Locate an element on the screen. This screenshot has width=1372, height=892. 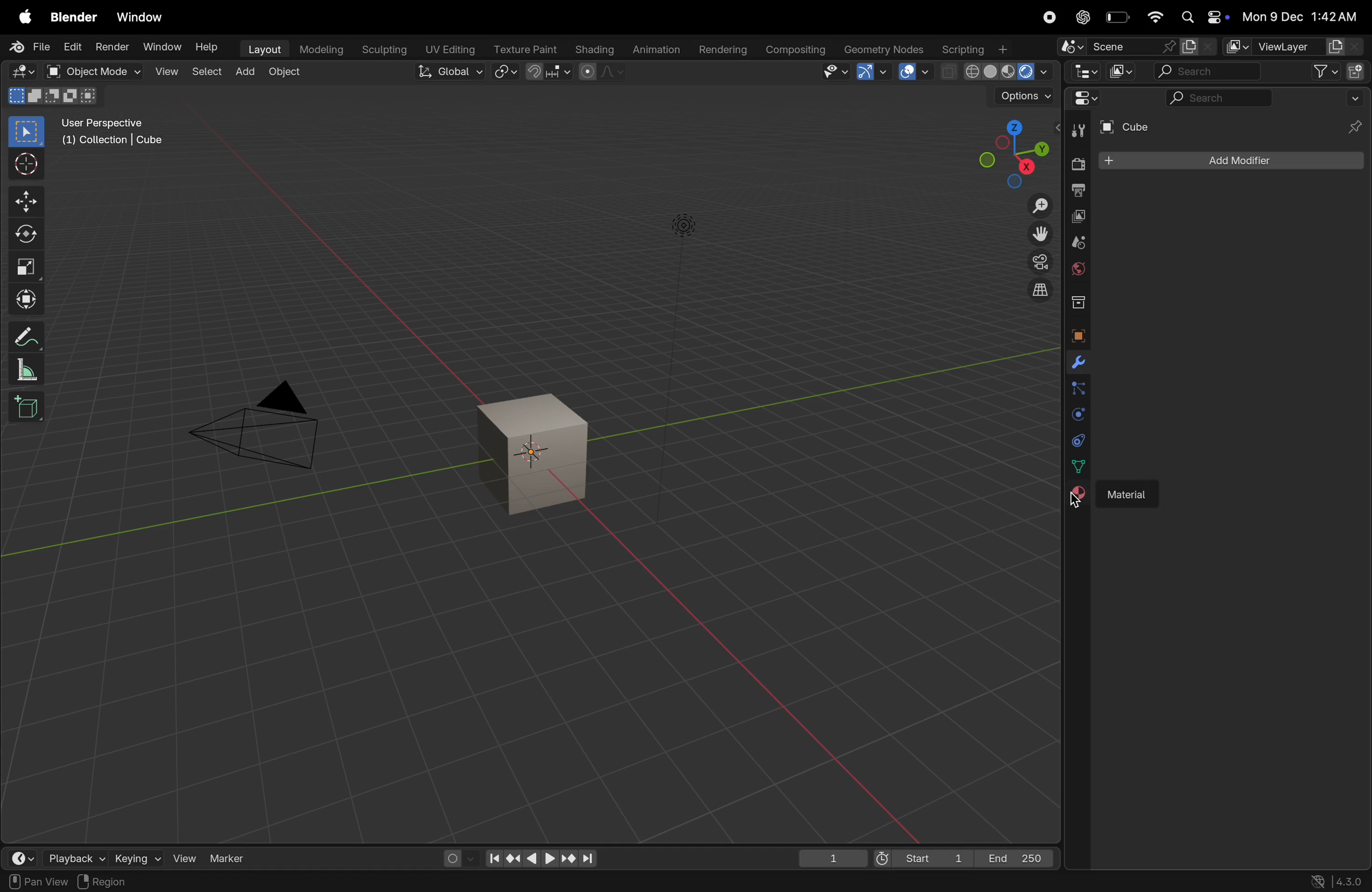
more options is located at coordinates (1354, 97).